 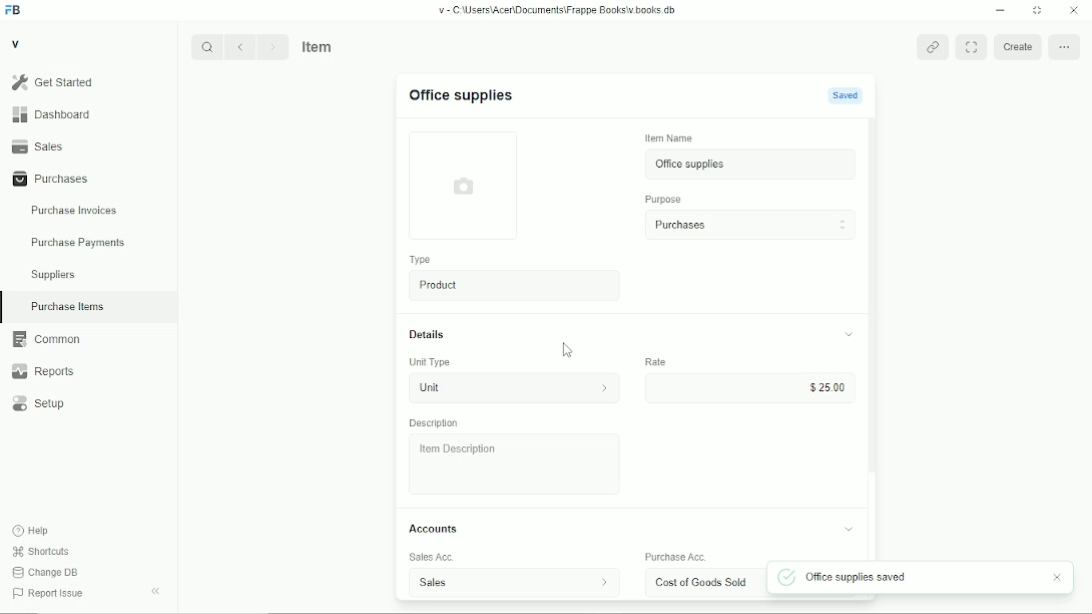 What do you see at coordinates (850, 334) in the screenshot?
I see `toggle collapse/expand` at bounding box center [850, 334].